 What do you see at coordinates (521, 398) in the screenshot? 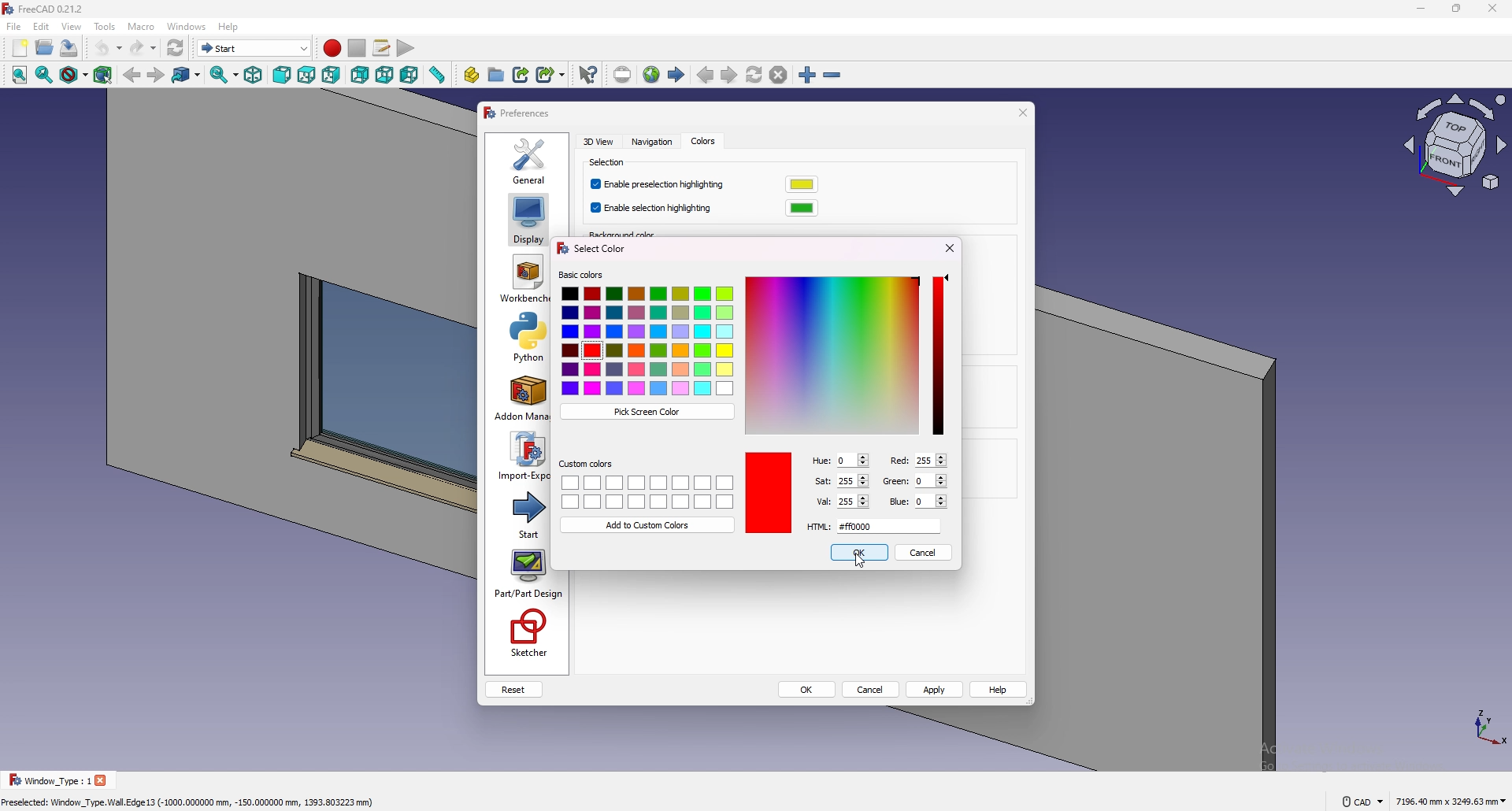
I see `add on manager` at bounding box center [521, 398].